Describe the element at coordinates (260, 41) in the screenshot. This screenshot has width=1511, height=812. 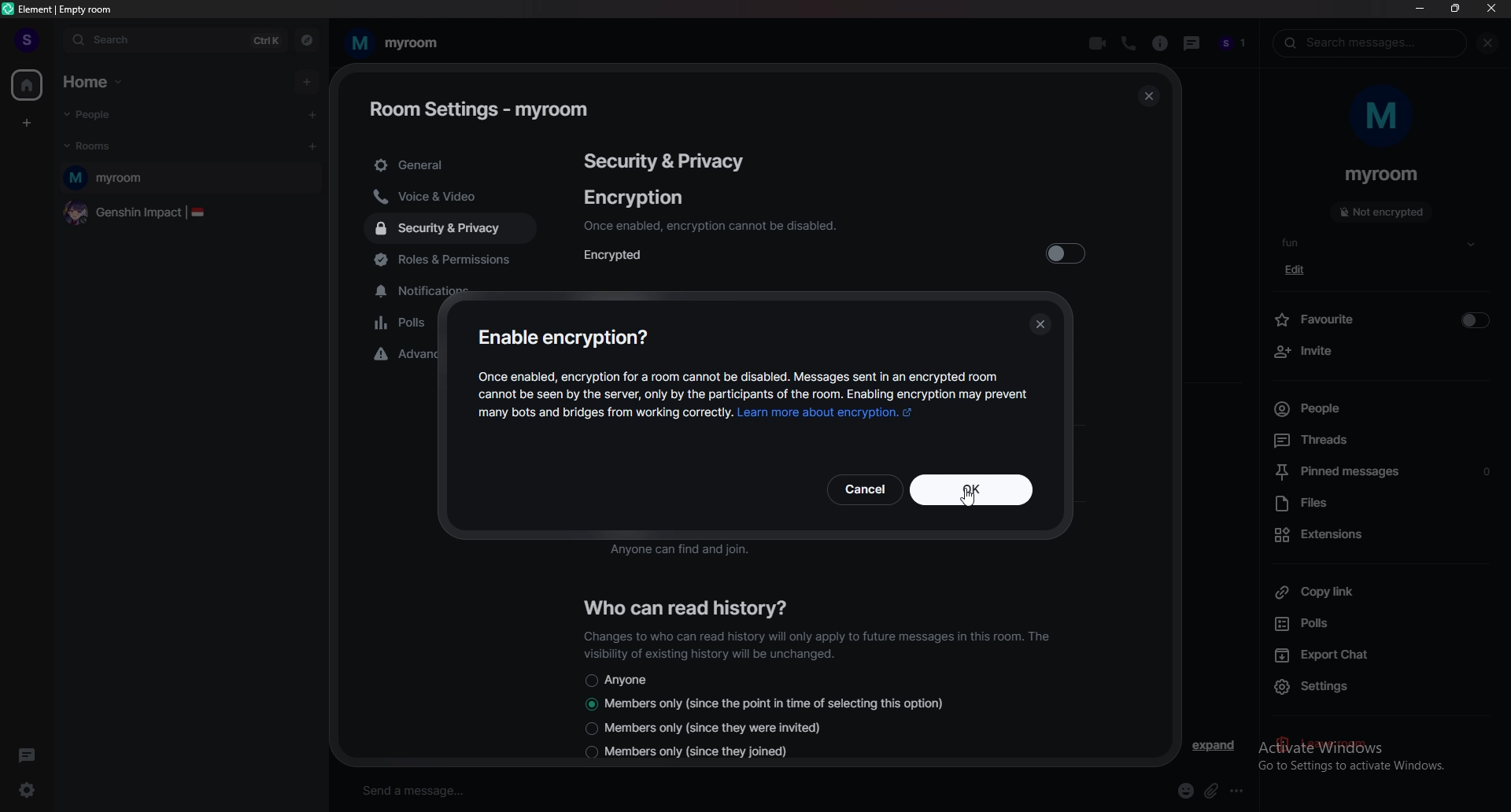
I see `ctrl k` at that location.